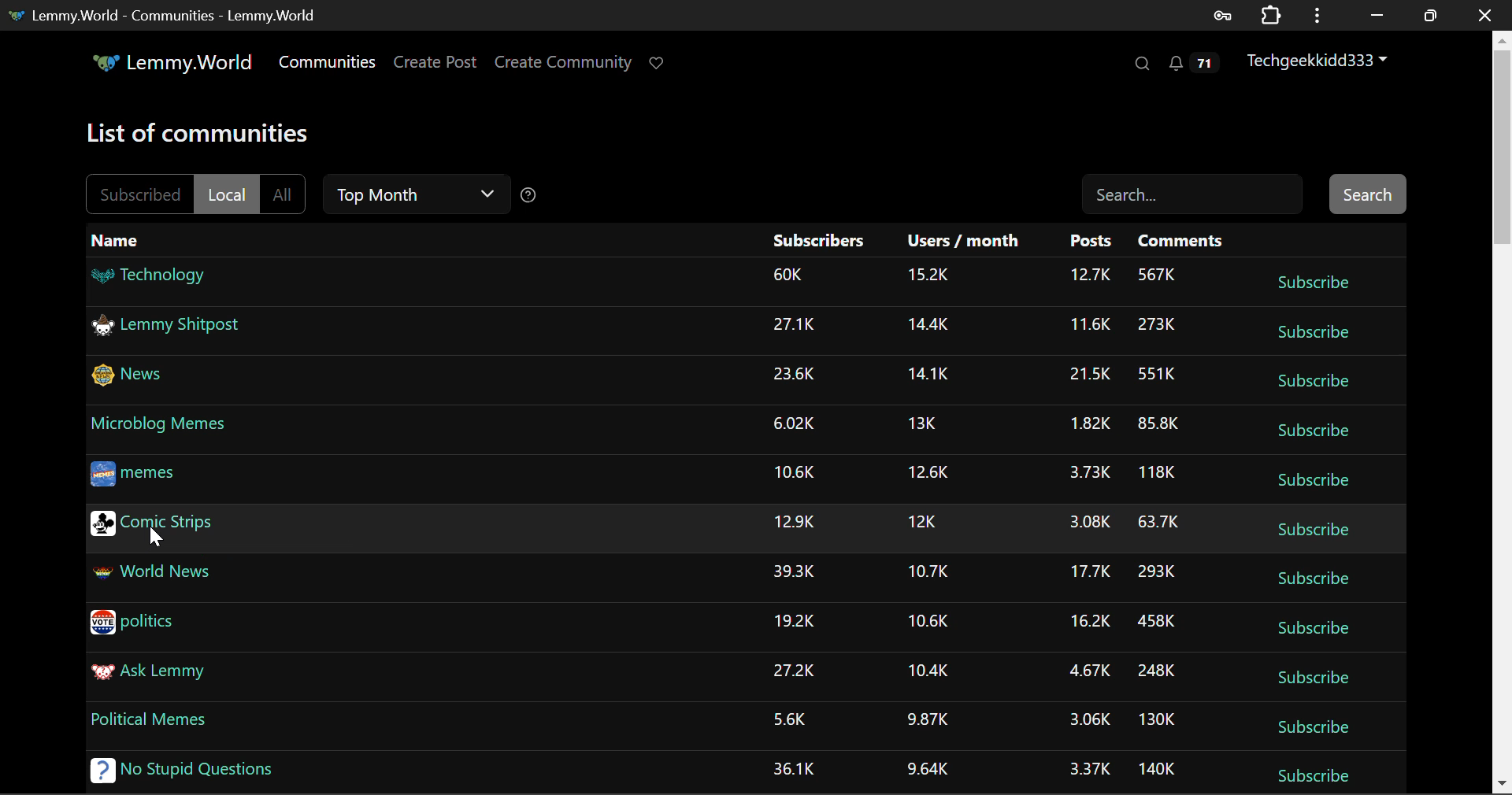  Describe the element at coordinates (1315, 15) in the screenshot. I see `Options` at that location.